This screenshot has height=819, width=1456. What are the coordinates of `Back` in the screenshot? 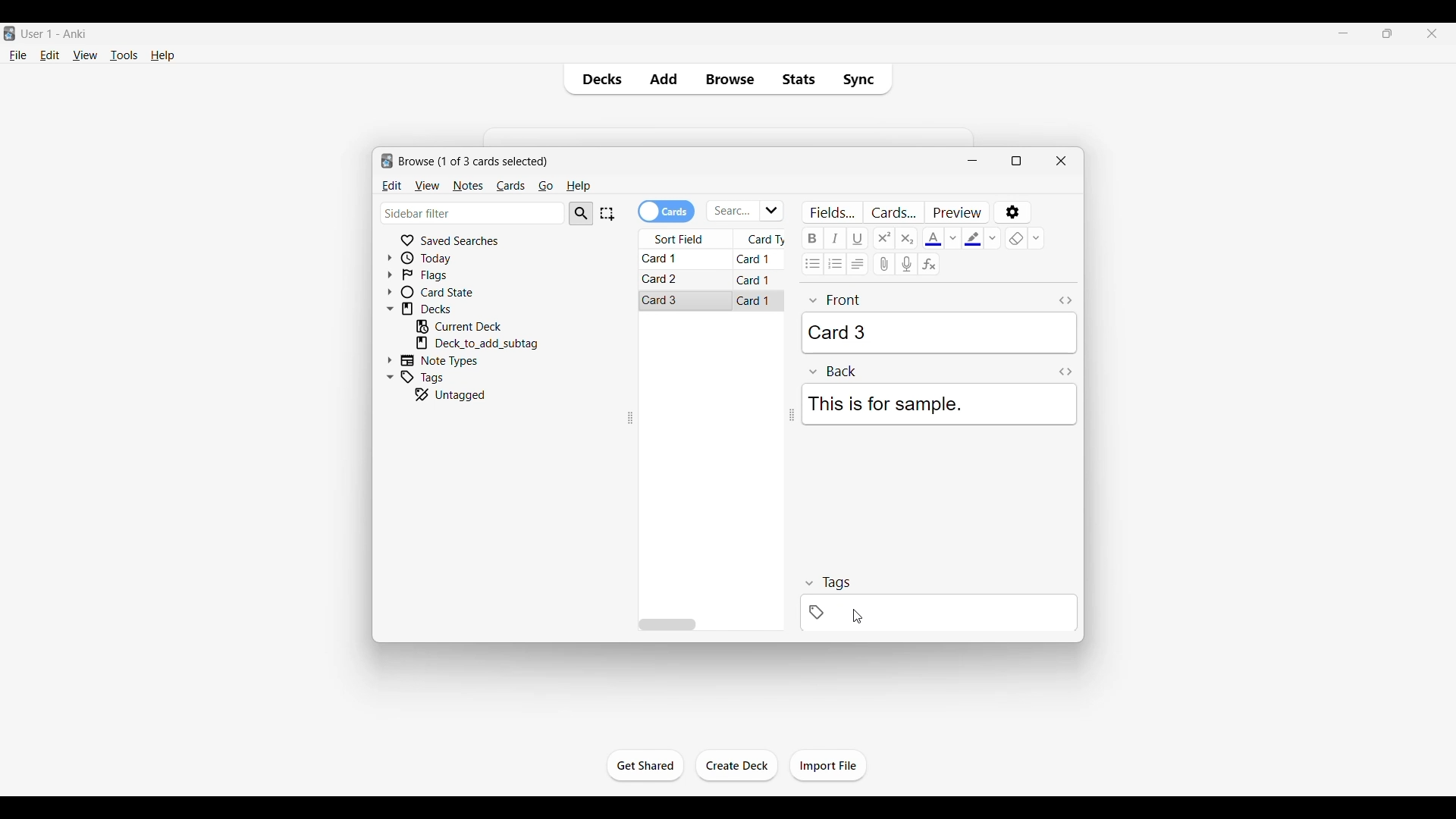 It's located at (833, 372).